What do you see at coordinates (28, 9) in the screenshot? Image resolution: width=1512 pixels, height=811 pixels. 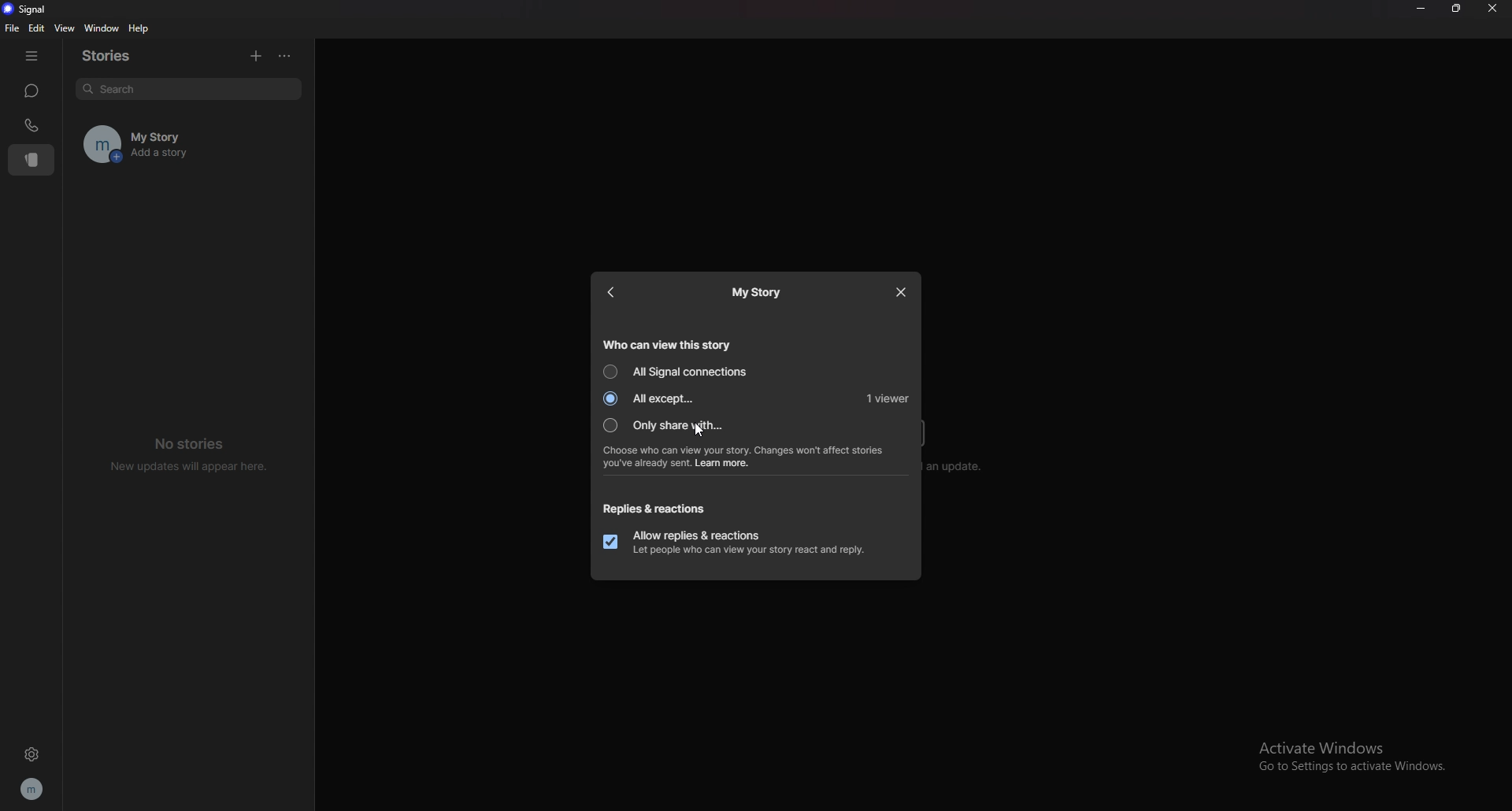 I see `signal` at bounding box center [28, 9].